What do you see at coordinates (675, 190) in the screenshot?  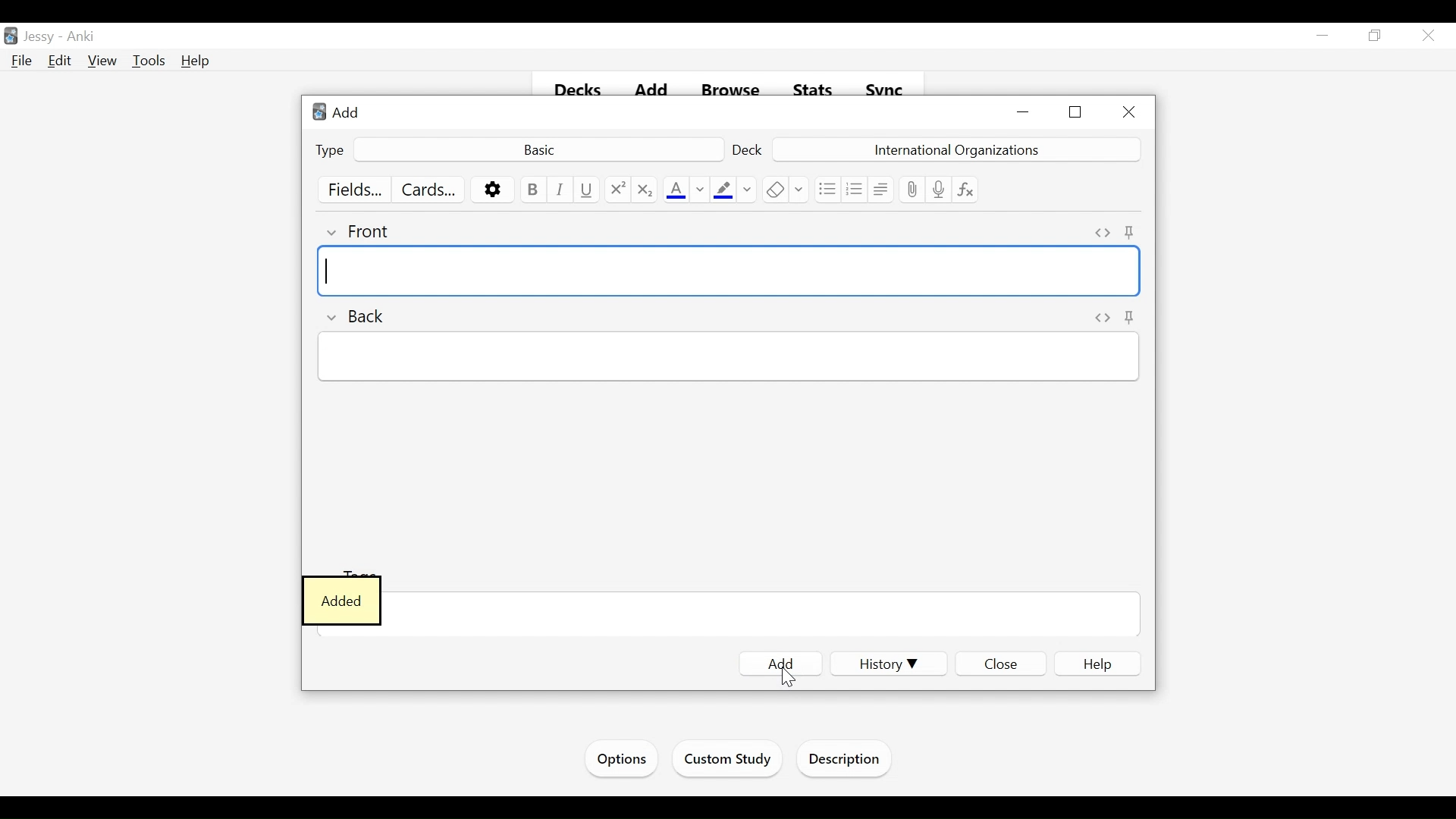 I see `Text Color` at bounding box center [675, 190].